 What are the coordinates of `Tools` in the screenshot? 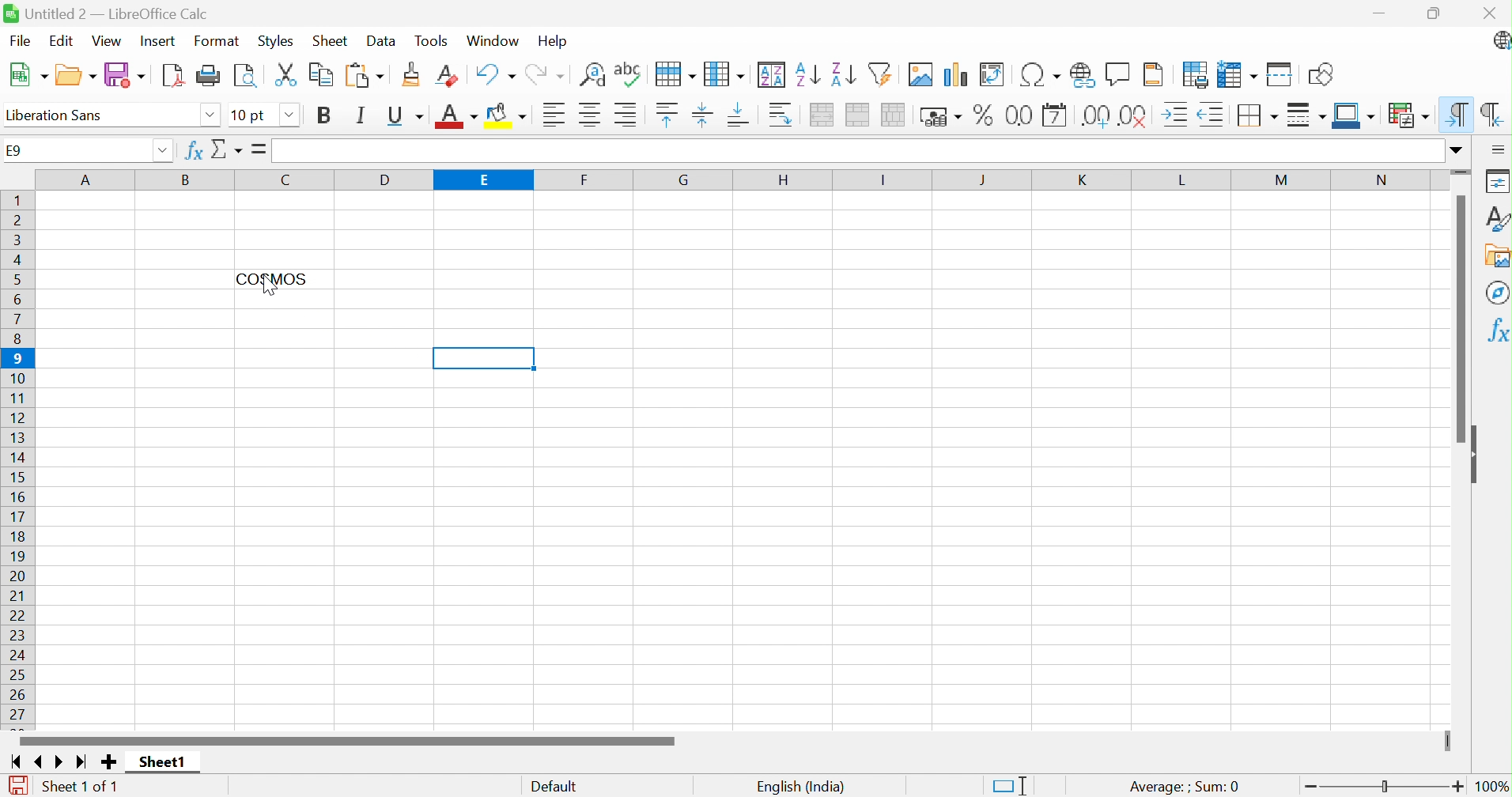 It's located at (436, 40).